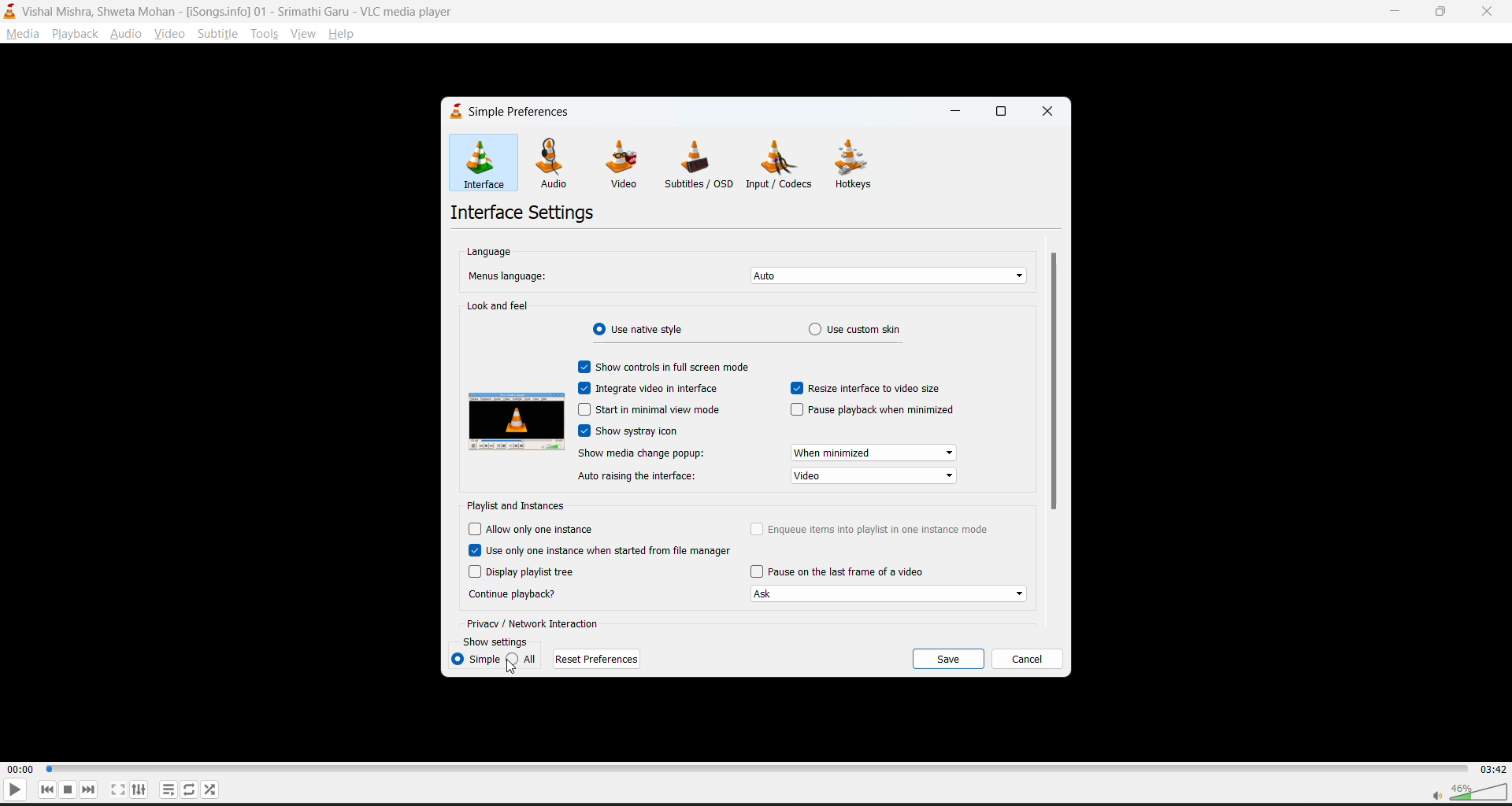  Describe the element at coordinates (952, 658) in the screenshot. I see `save` at that location.